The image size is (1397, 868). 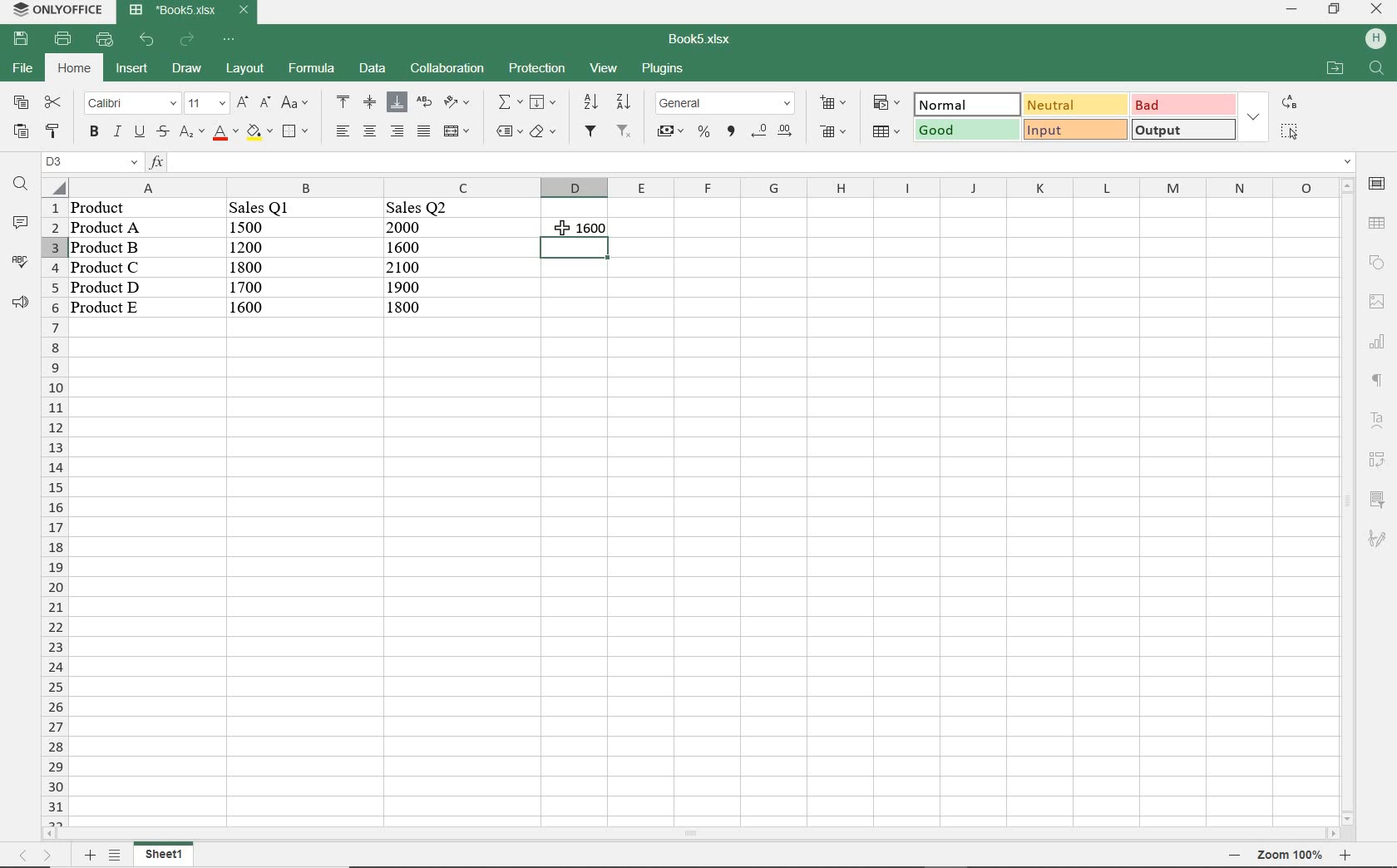 I want to click on signature, so click(x=1379, y=535).